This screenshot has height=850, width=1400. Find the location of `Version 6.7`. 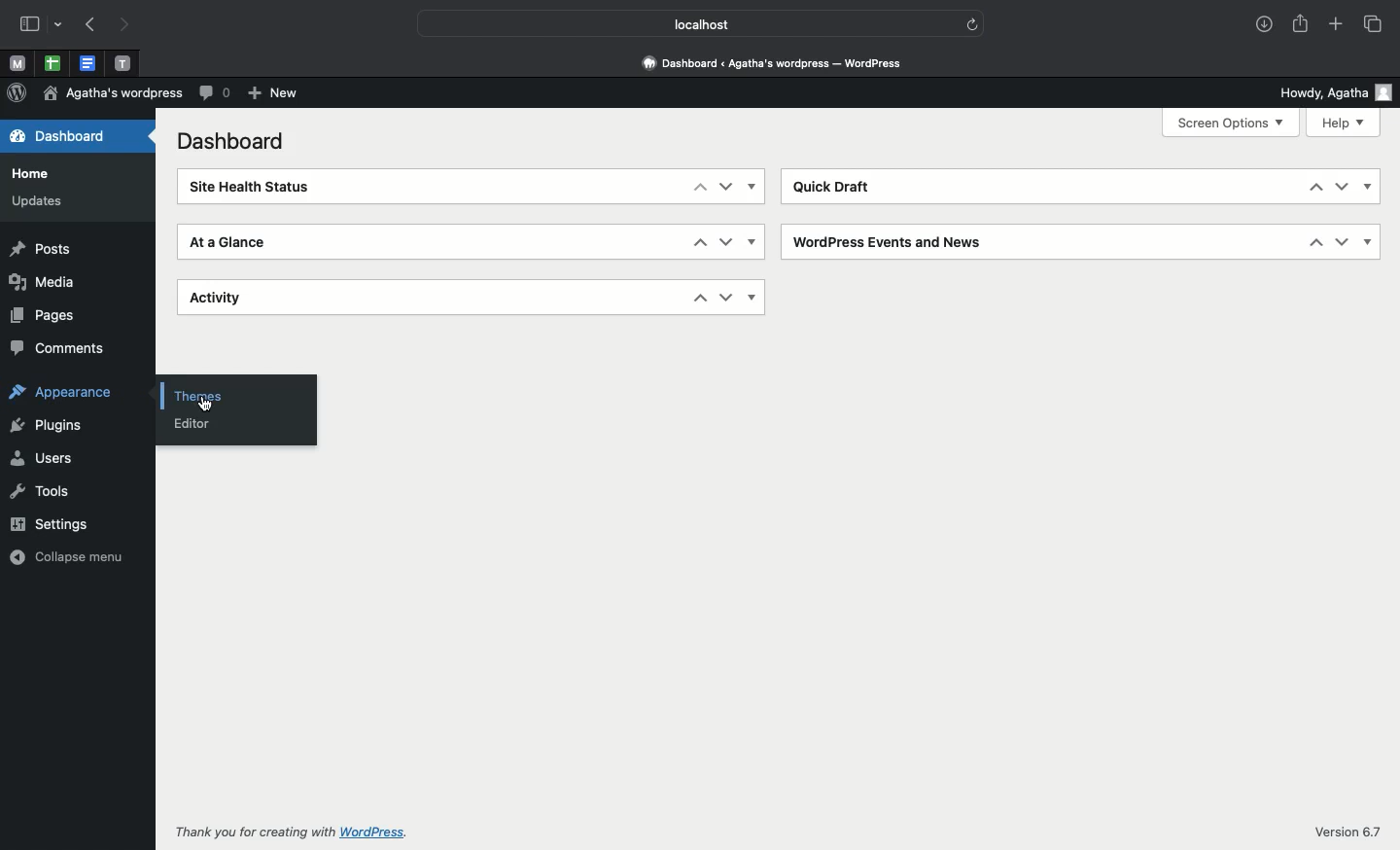

Version 6.7 is located at coordinates (1347, 828).